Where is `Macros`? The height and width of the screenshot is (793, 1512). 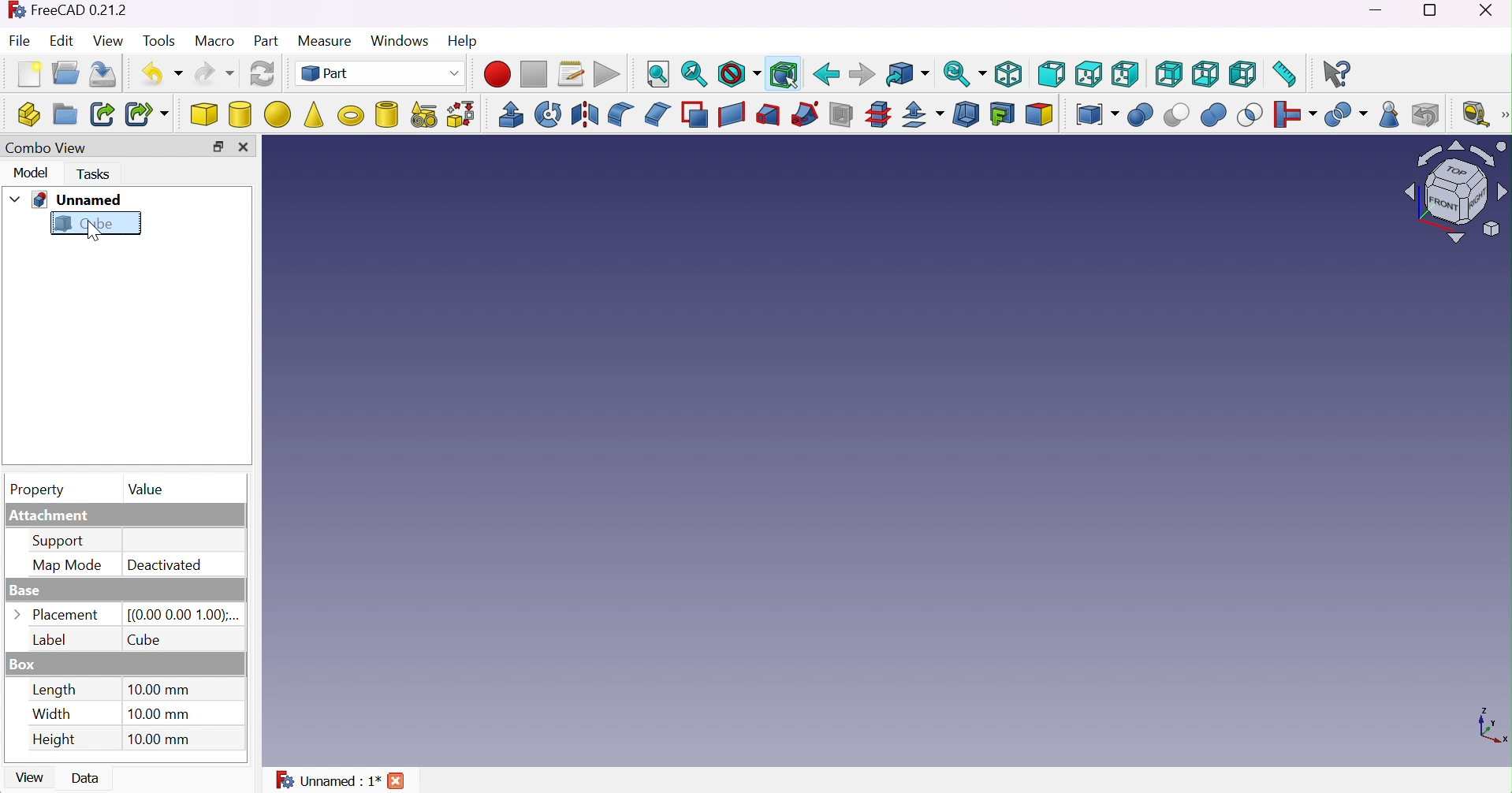
Macros is located at coordinates (572, 75).